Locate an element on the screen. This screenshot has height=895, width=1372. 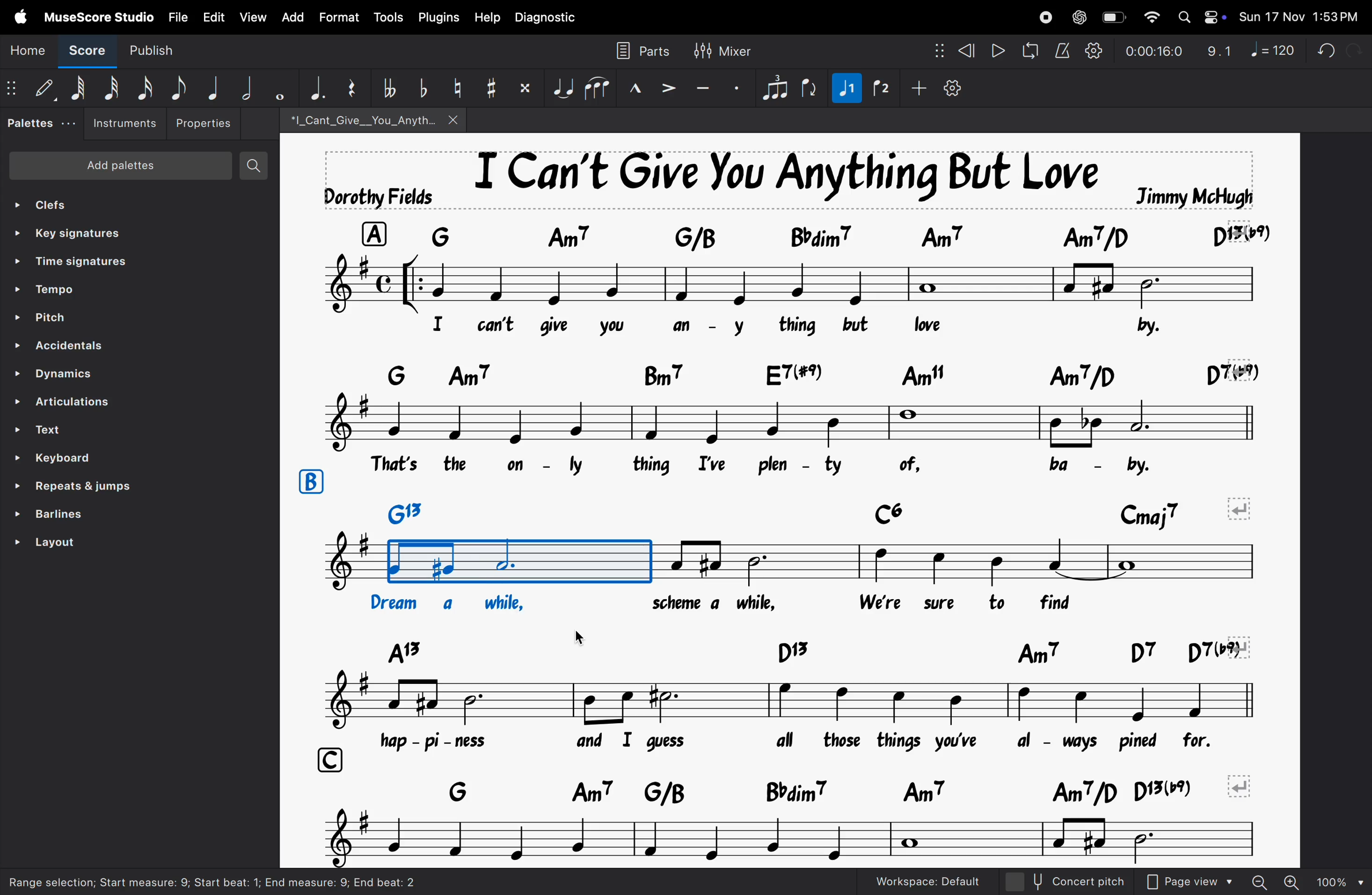
keys is located at coordinates (806, 652).